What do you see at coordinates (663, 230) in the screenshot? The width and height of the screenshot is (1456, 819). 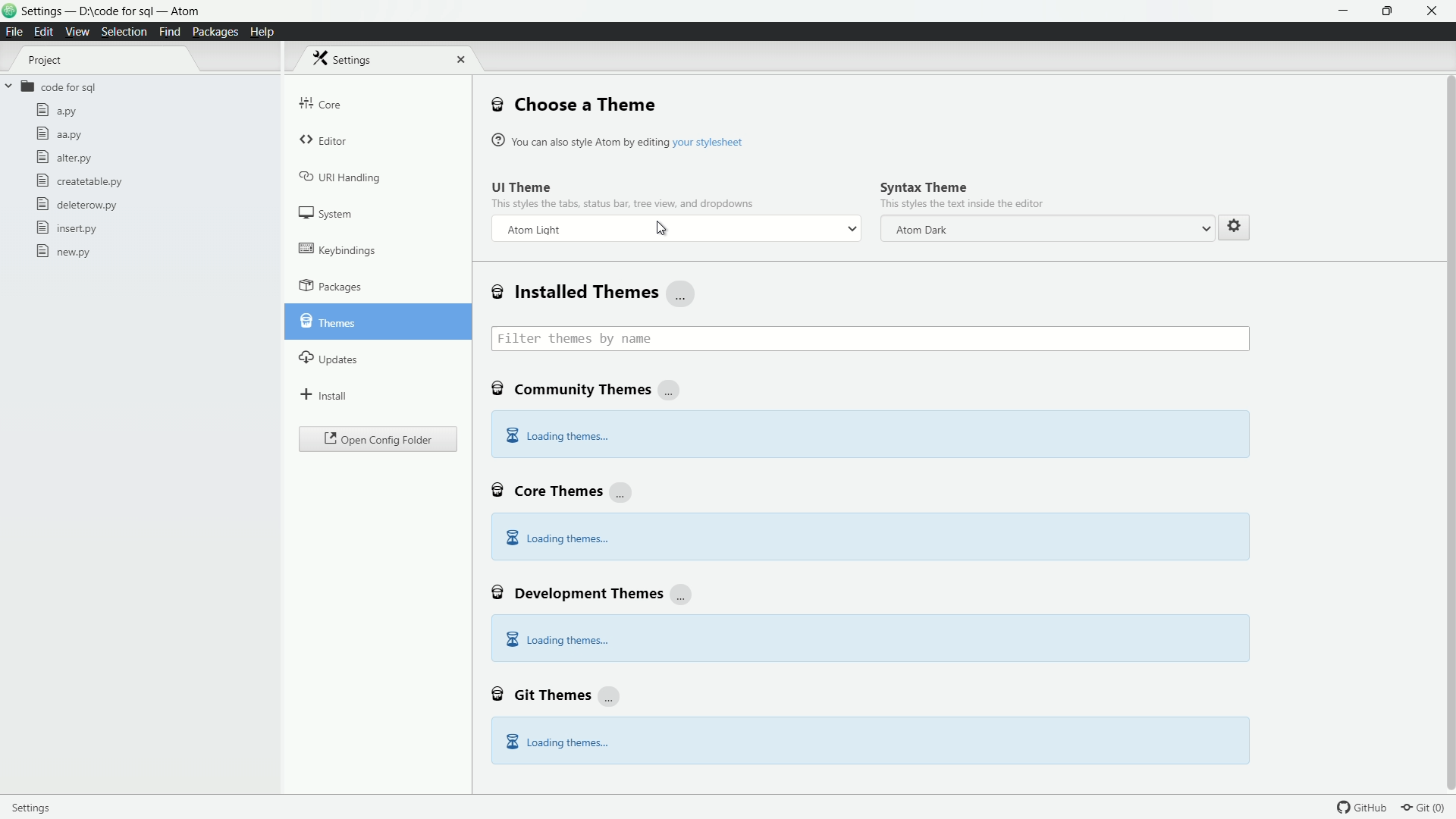 I see `cursor` at bounding box center [663, 230].